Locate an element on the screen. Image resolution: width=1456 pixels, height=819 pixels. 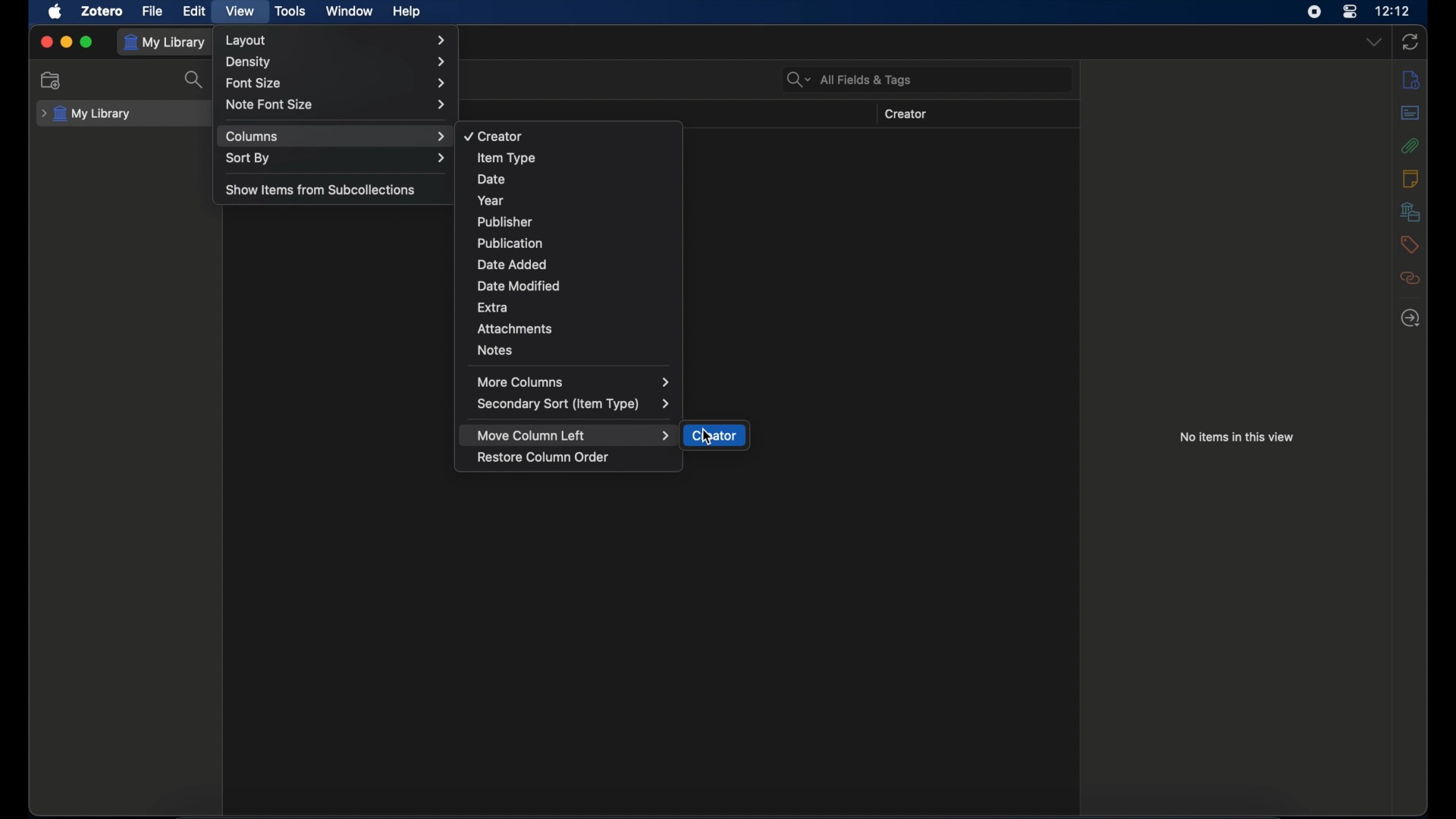
cursor is located at coordinates (707, 436).